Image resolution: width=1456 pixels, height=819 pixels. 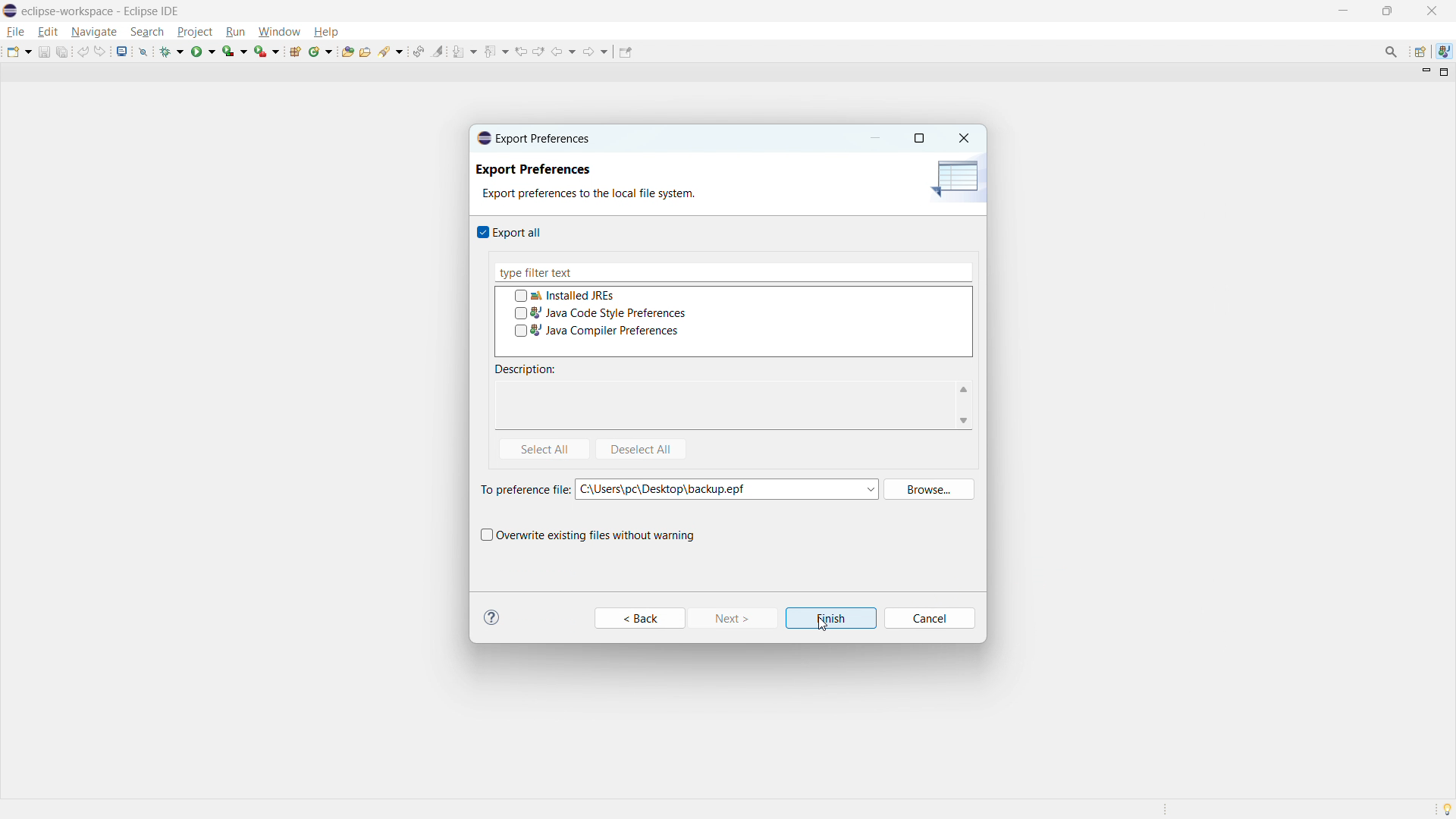 What do you see at coordinates (1443, 807) in the screenshot?
I see `Tip of the day` at bounding box center [1443, 807].